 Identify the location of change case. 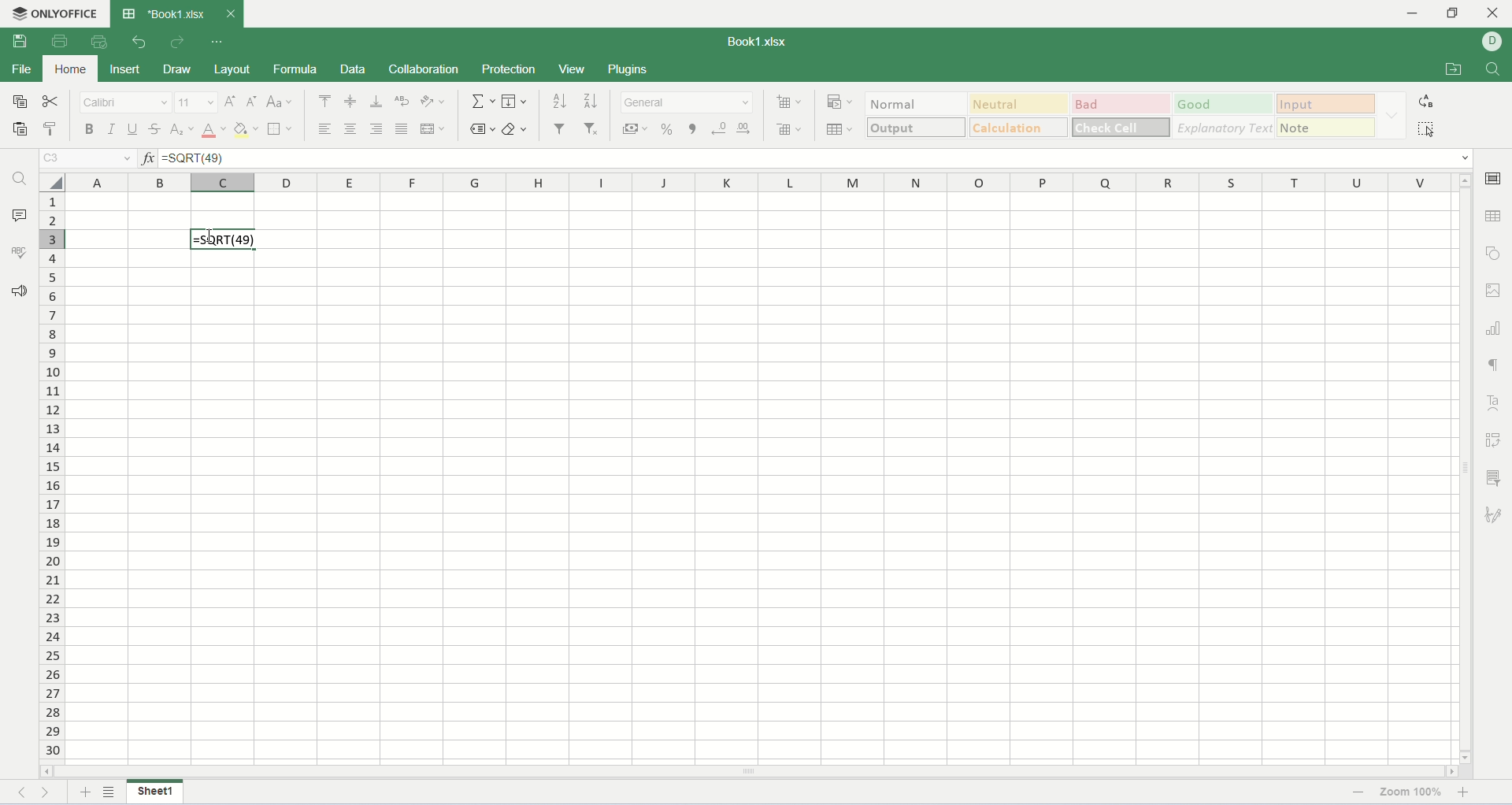
(281, 101).